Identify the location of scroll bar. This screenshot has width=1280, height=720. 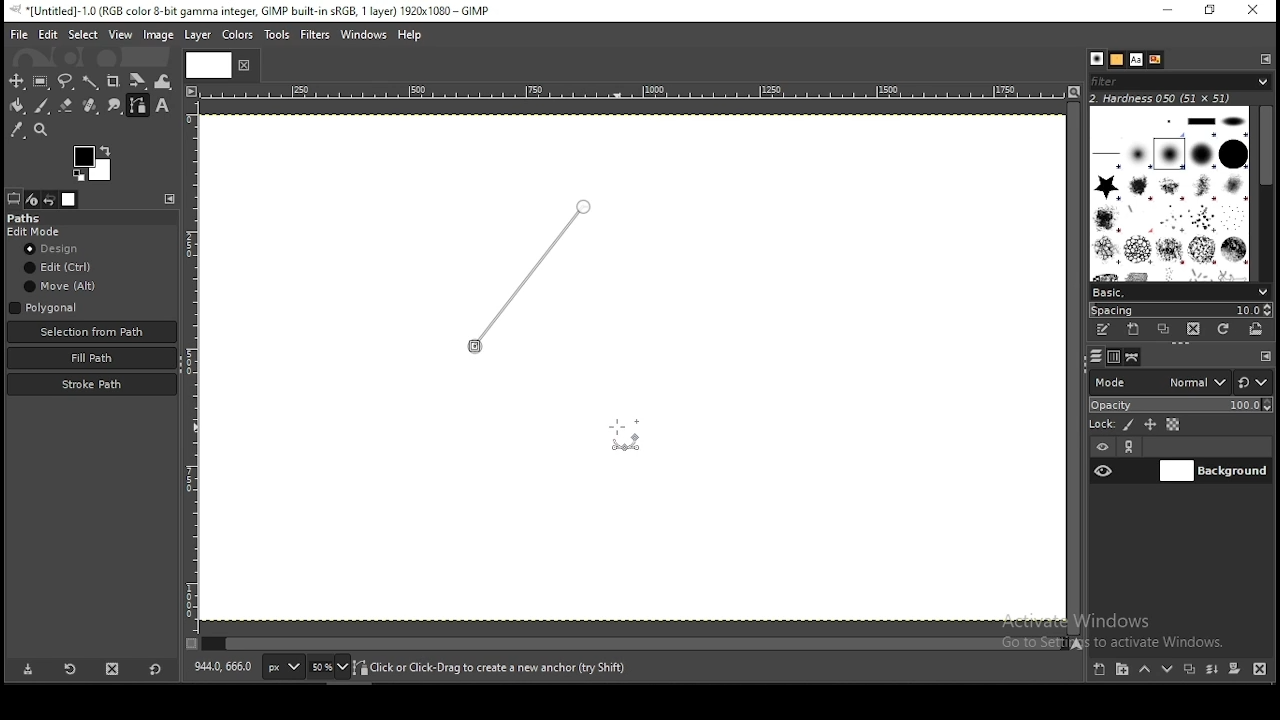
(1073, 368).